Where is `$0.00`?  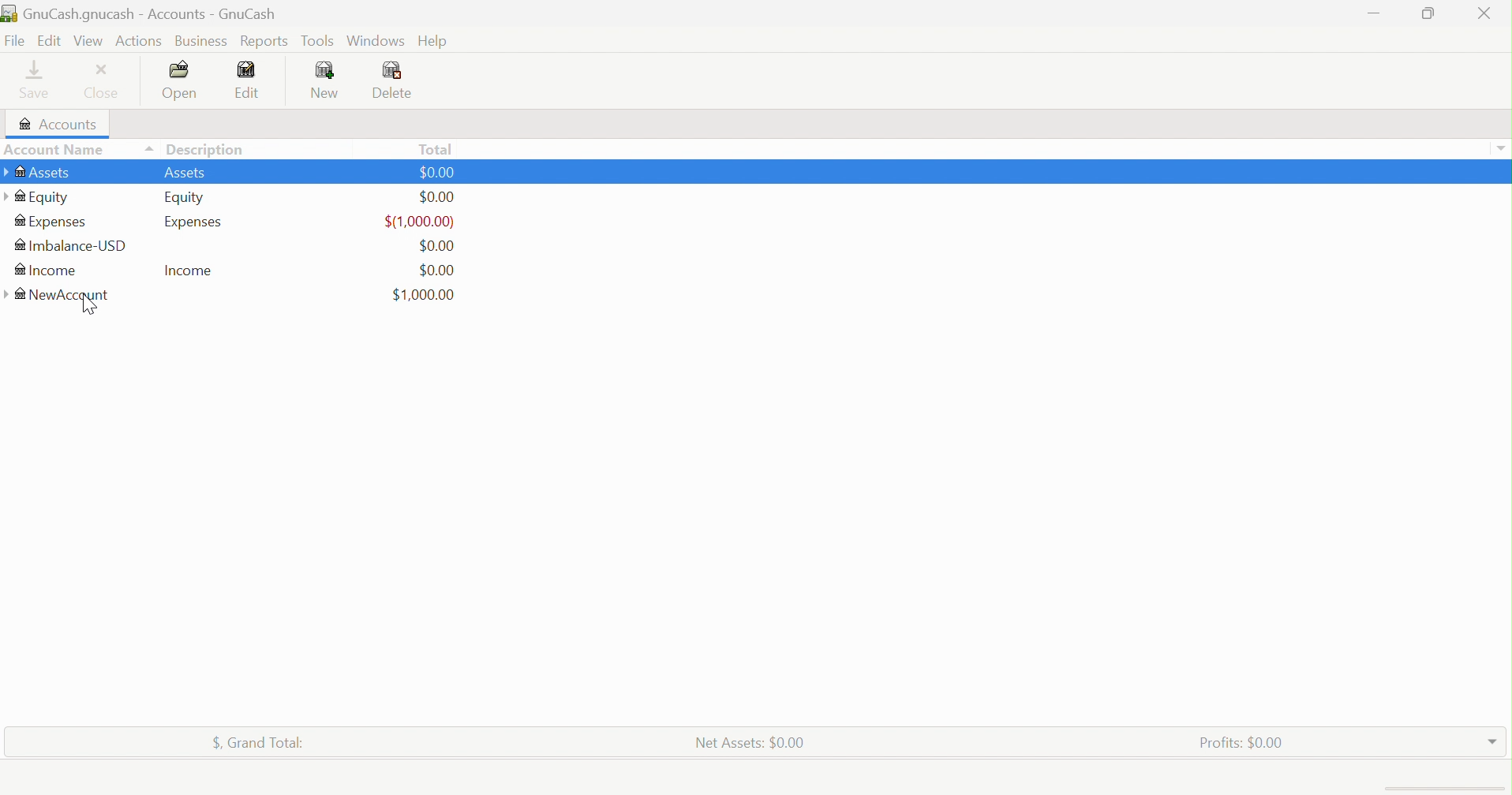 $0.00 is located at coordinates (439, 198).